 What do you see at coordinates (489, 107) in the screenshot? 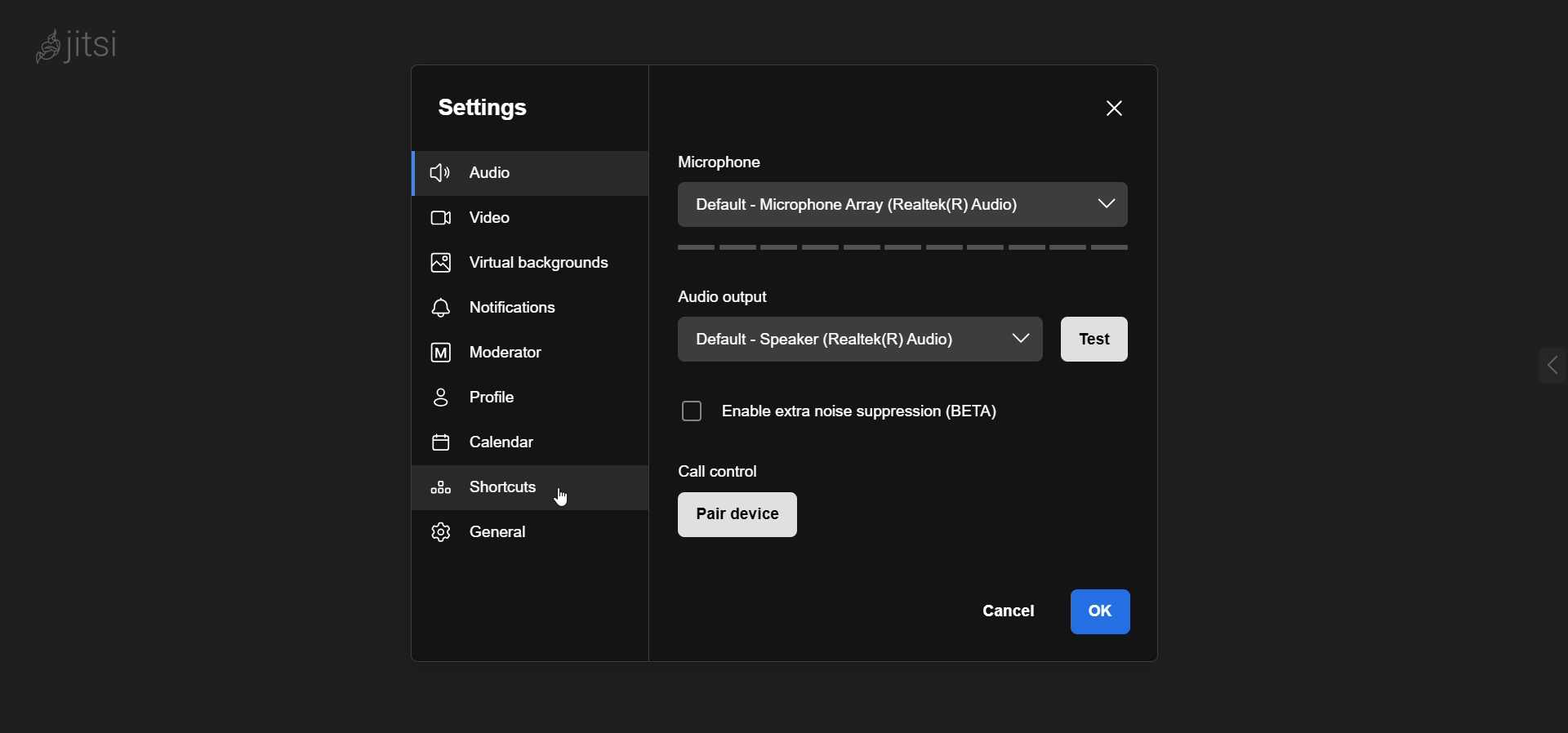
I see `setting` at bounding box center [489, 107].